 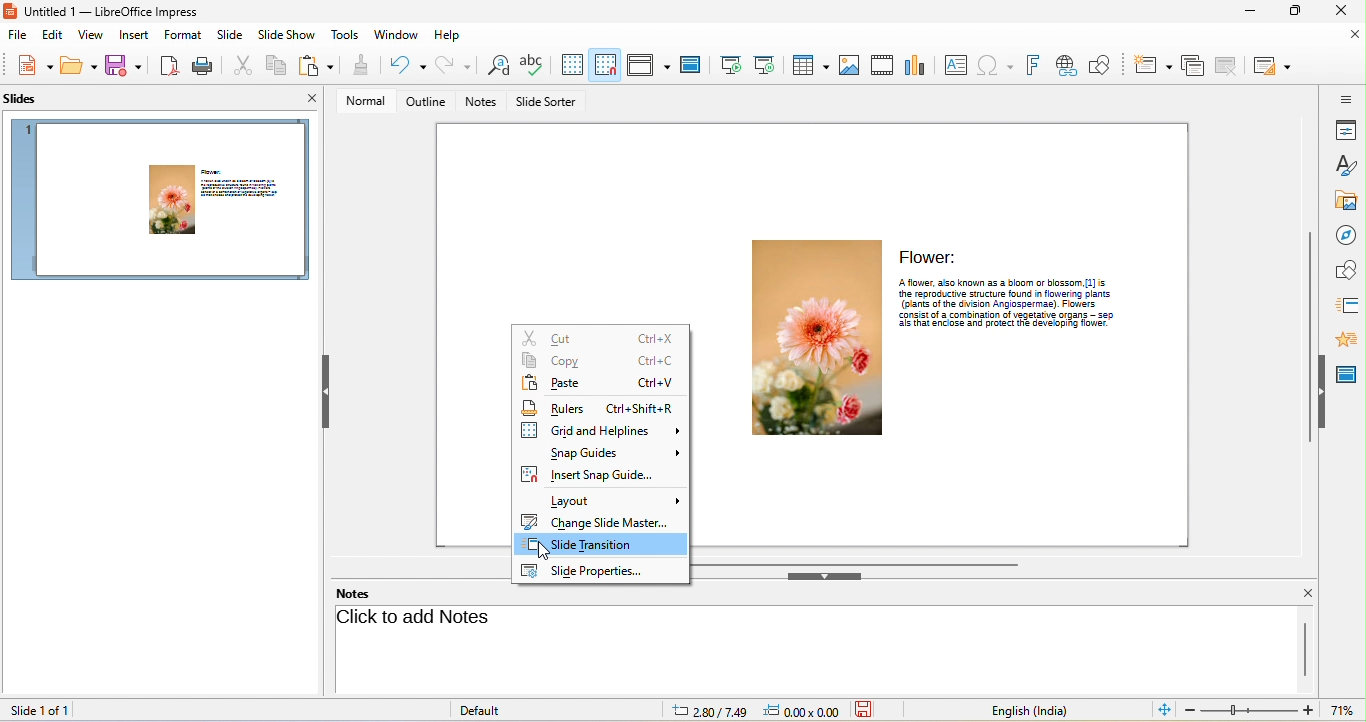 I want to click on spelling, so click(x=532, y=66).